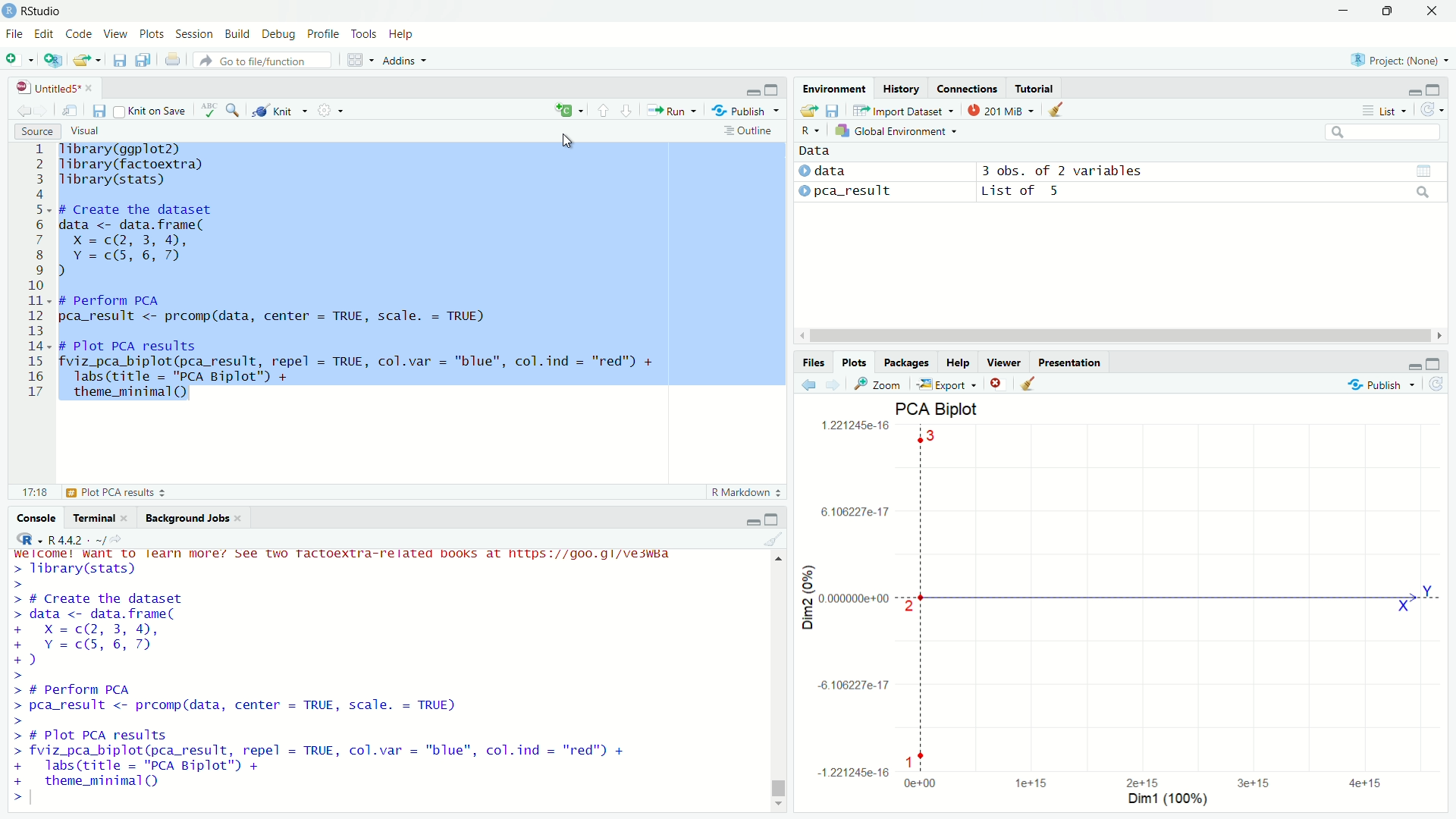 Image resolution: width=1456 pixels, height=819 pixels. I want to click on File, so click(15, 35).